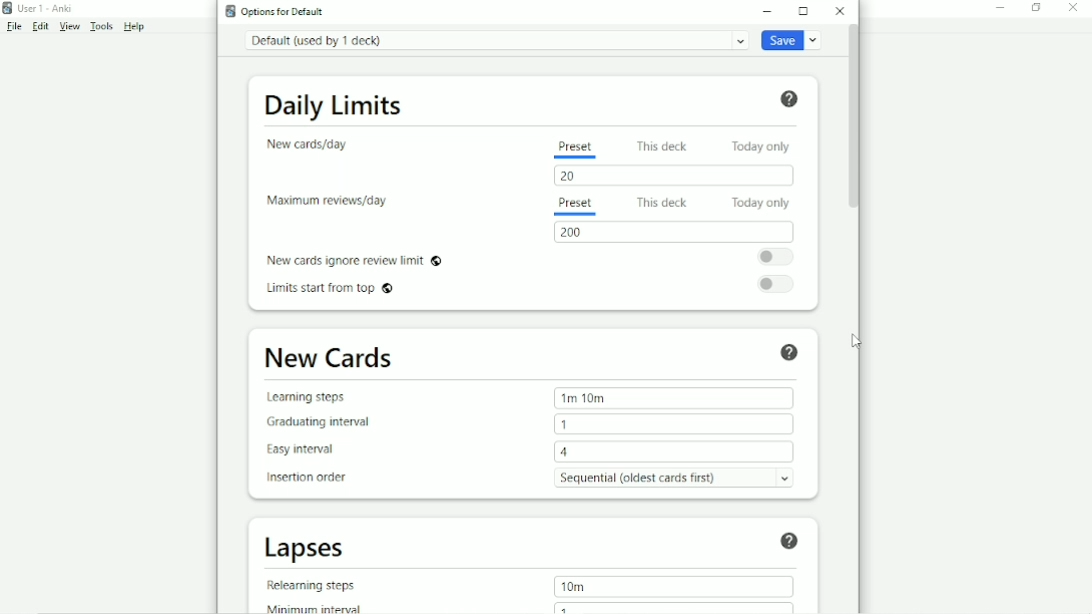 The width and height of the screenshot is (1092, 614). What do you see at coordinates (777, 285) in the screenshot?
I see `Toggle on/off` at bounding box center [777, 285].